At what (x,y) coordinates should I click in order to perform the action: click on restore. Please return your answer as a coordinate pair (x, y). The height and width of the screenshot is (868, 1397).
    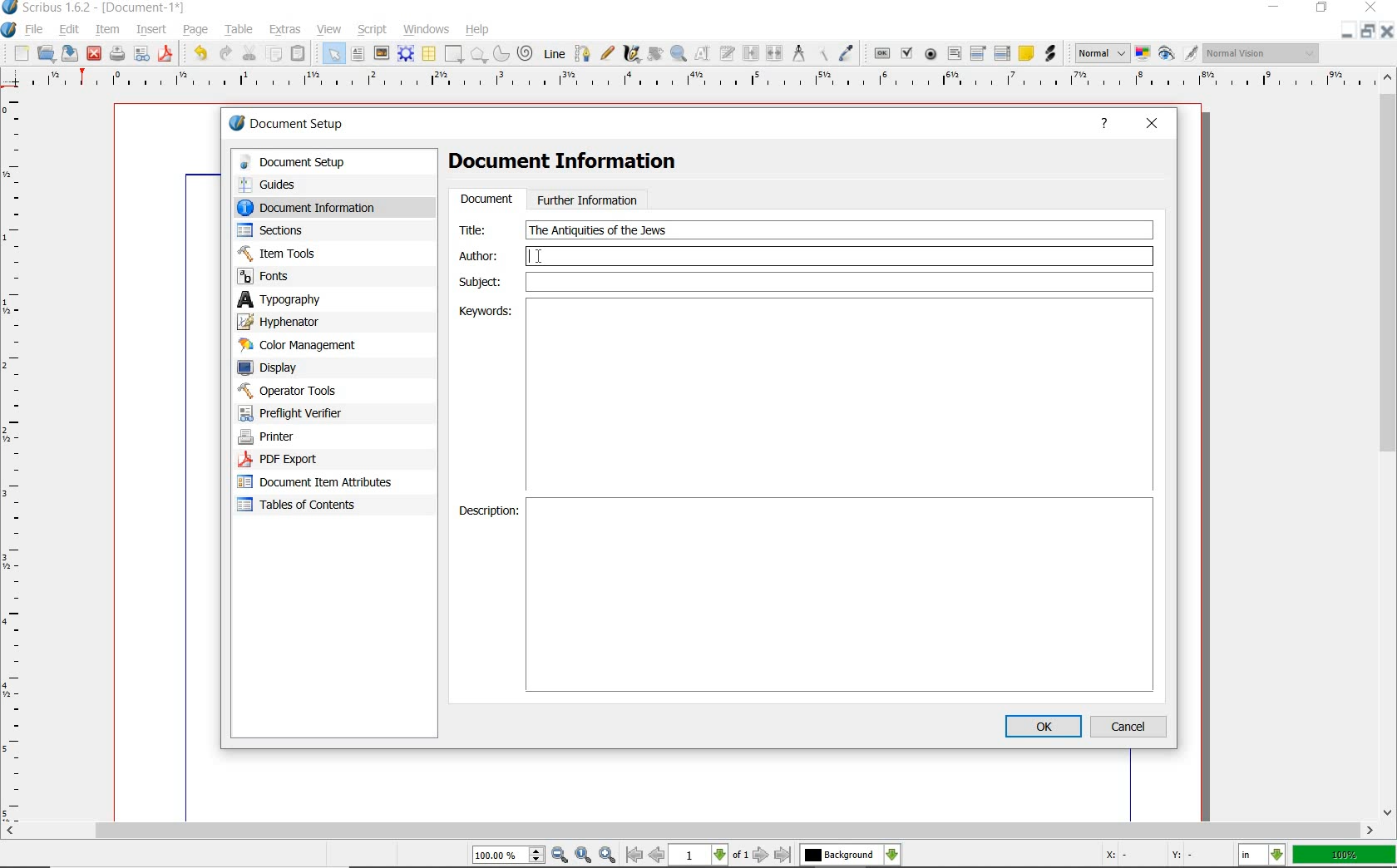
    Looking at the image, I should click on (1371, 31).